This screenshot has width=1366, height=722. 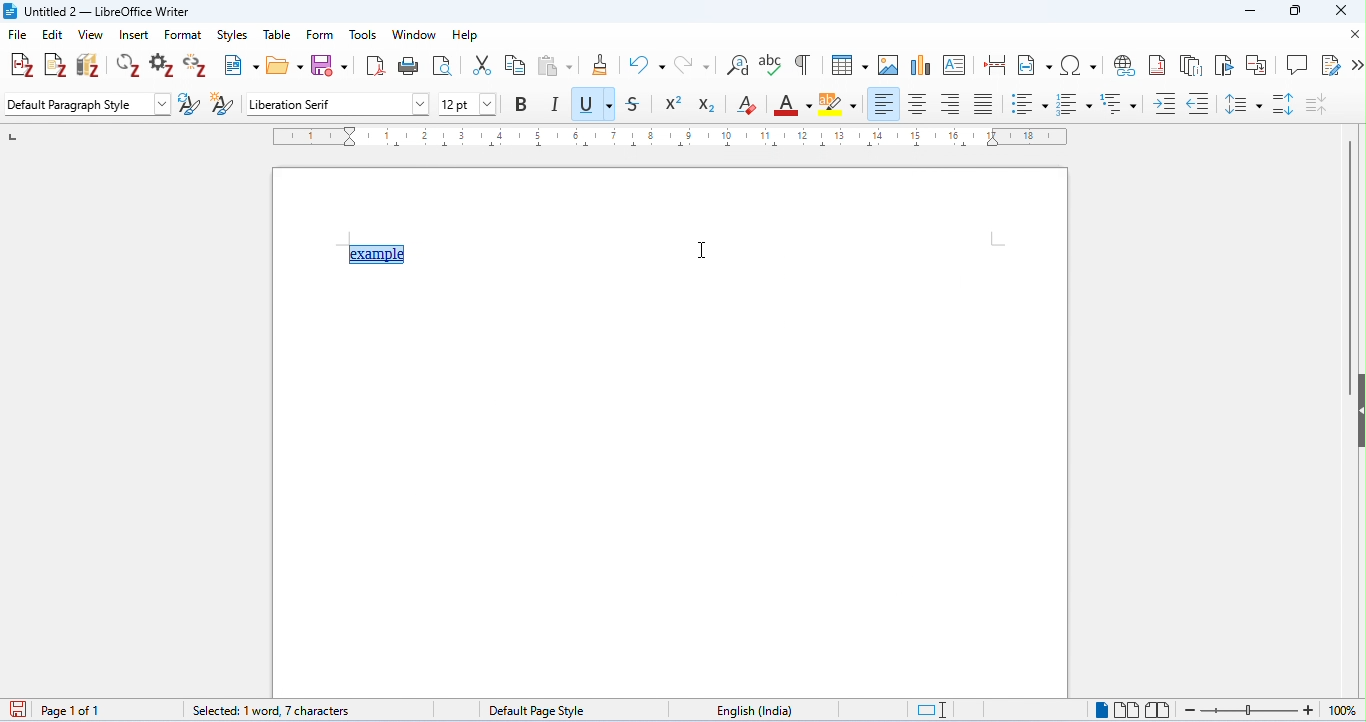 I want to click on font style, so click(x=338, y=105).